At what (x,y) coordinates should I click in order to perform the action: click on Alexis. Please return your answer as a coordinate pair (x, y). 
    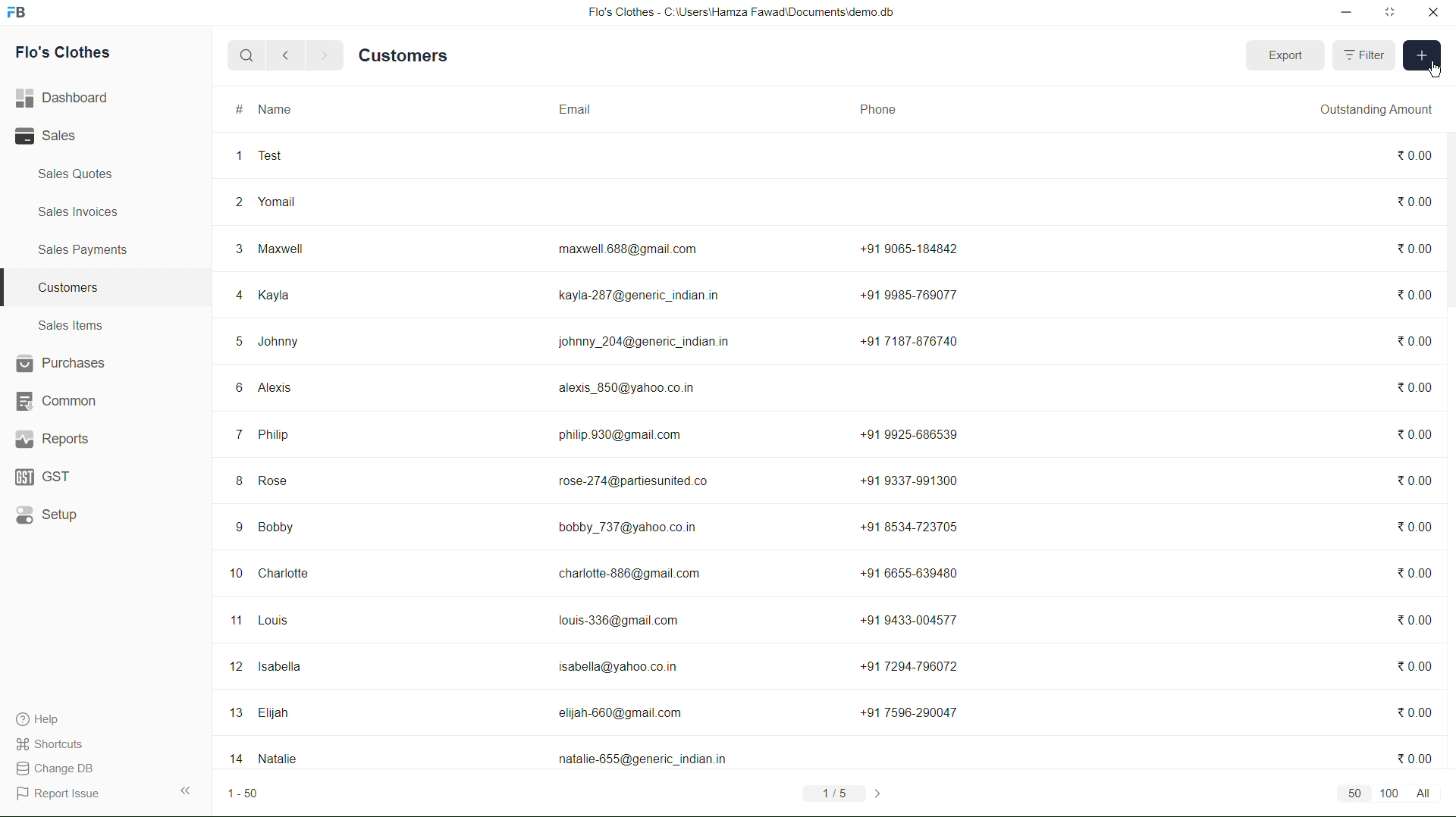
    Looking at the image, I should click on (279, 387).